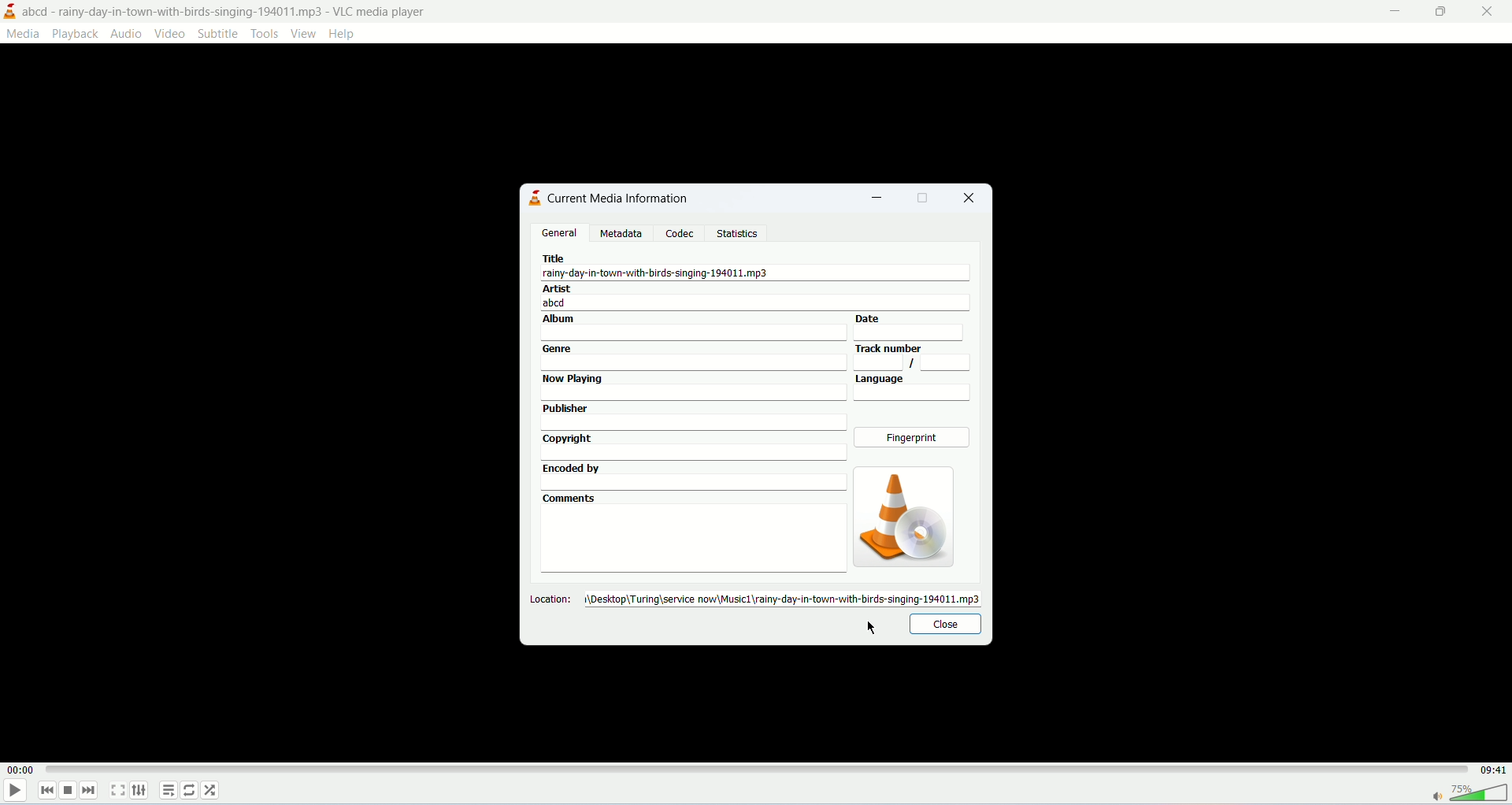  I want to click on comments, so click(691, 532).